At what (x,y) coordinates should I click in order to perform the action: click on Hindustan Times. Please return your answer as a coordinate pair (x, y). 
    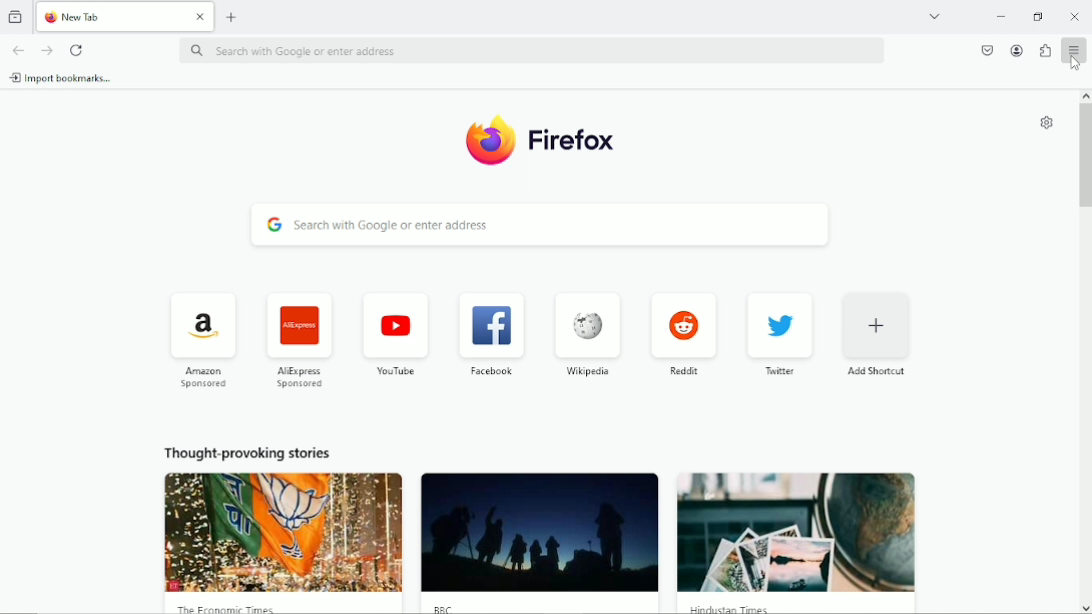
    Looking at the image, I should click on (735, 608).